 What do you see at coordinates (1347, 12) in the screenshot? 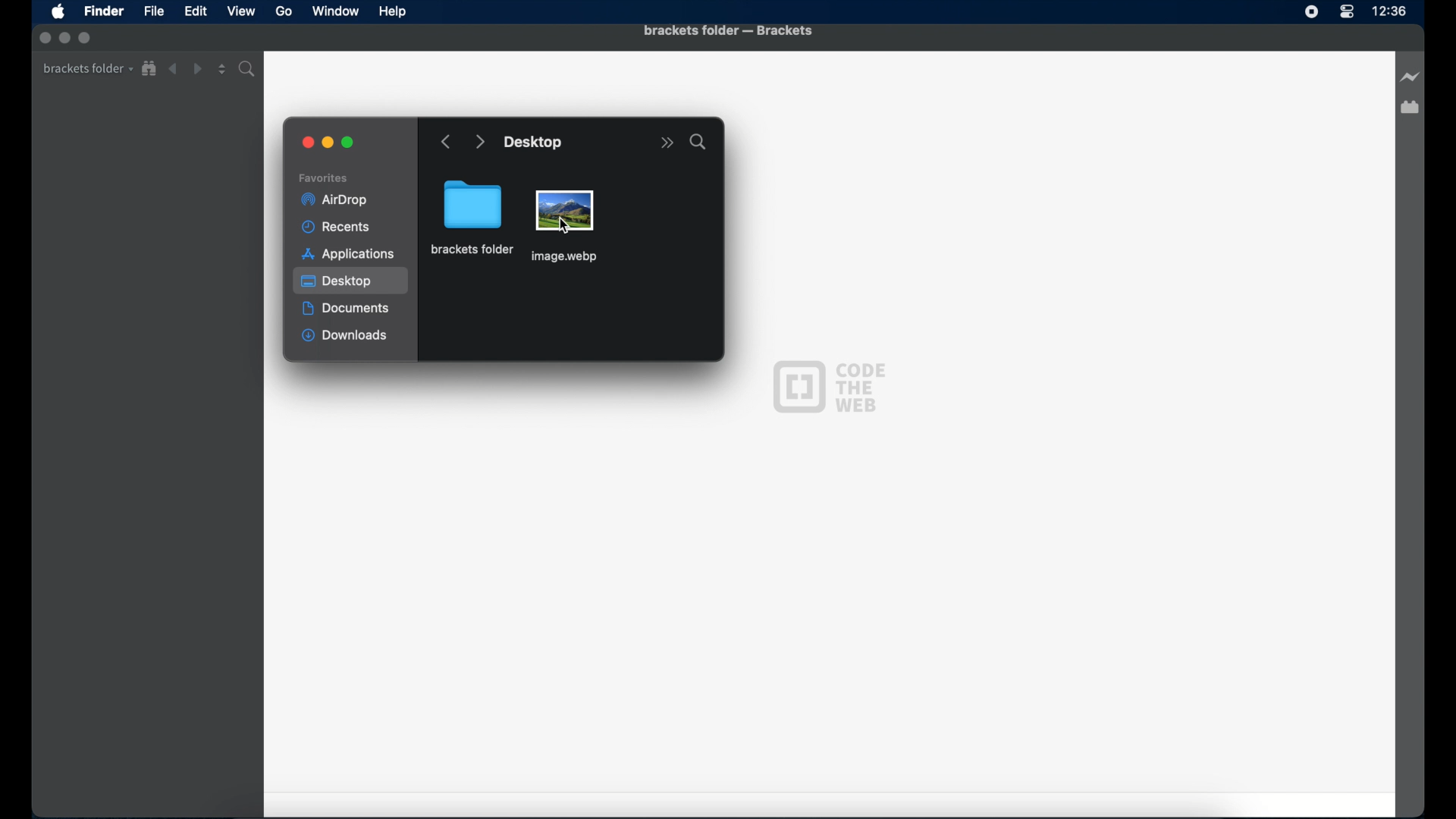
I see `control center` at bounding box center [1347, 12].